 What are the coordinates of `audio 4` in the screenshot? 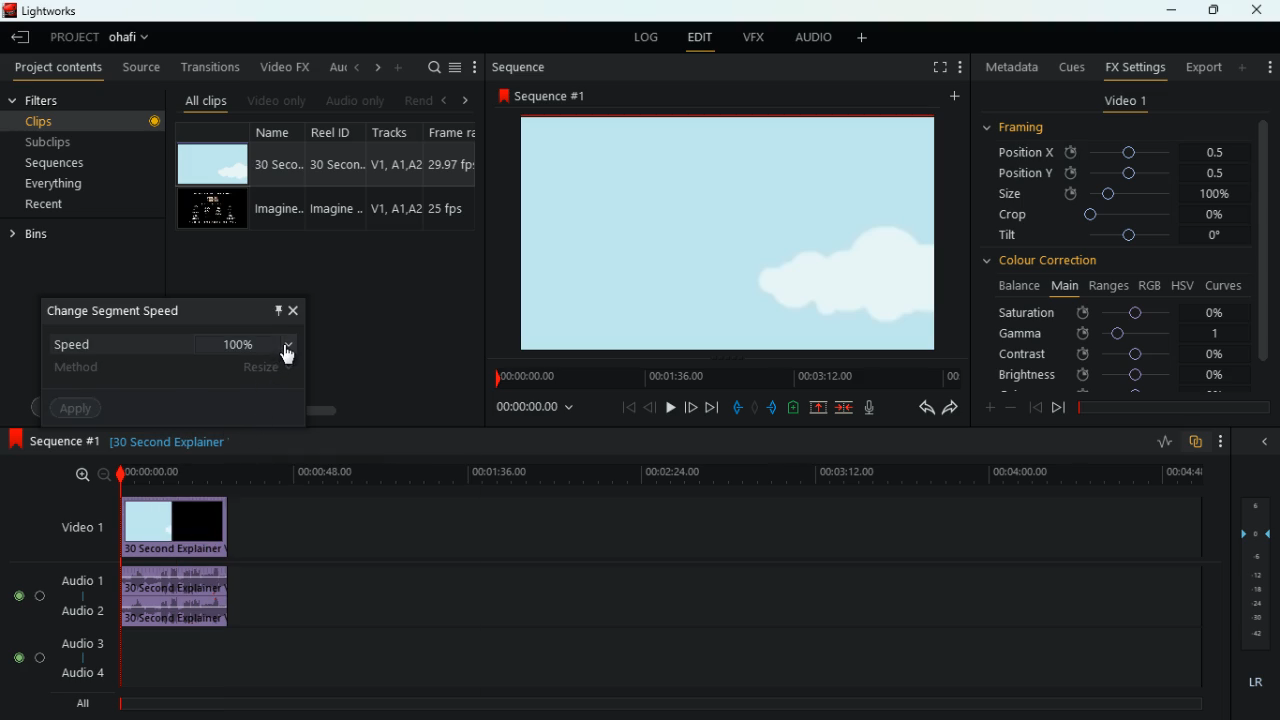 It's located at (82, 672).